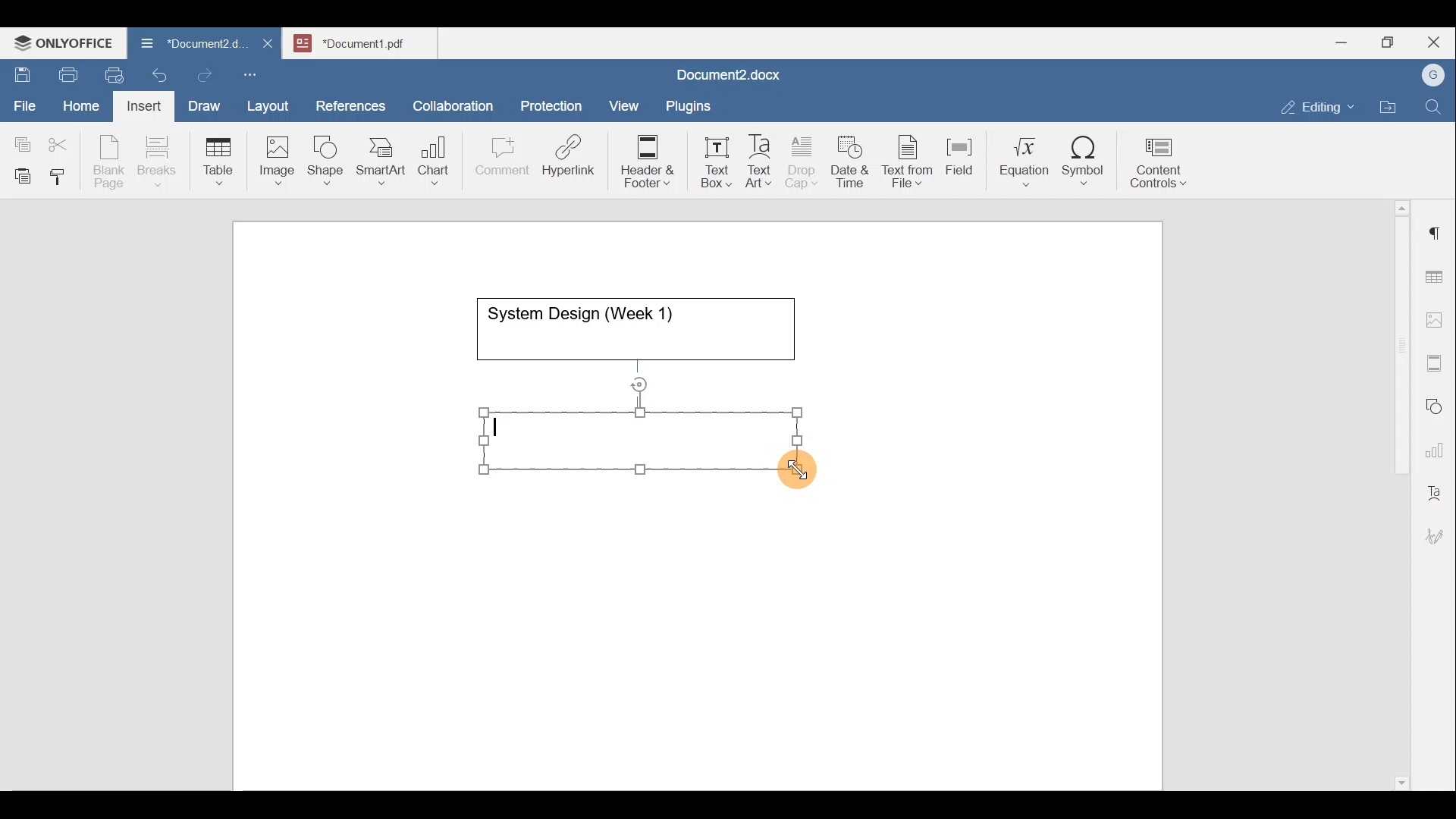  Describe the element at coordinates (1436, 43) in the screenshot. I see `Close` at that location.